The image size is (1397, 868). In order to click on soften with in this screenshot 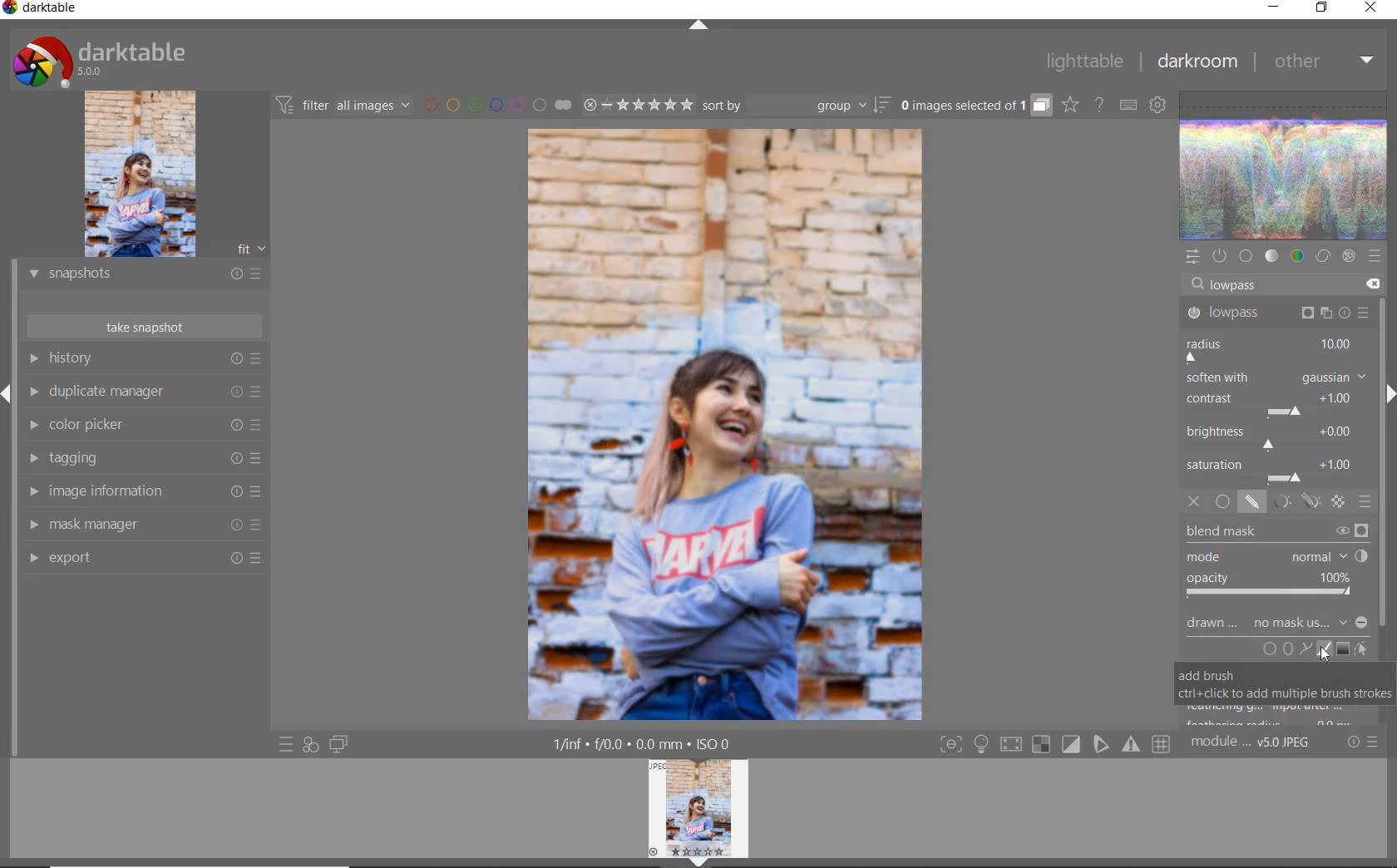, I will do `click(1276, 377)`.